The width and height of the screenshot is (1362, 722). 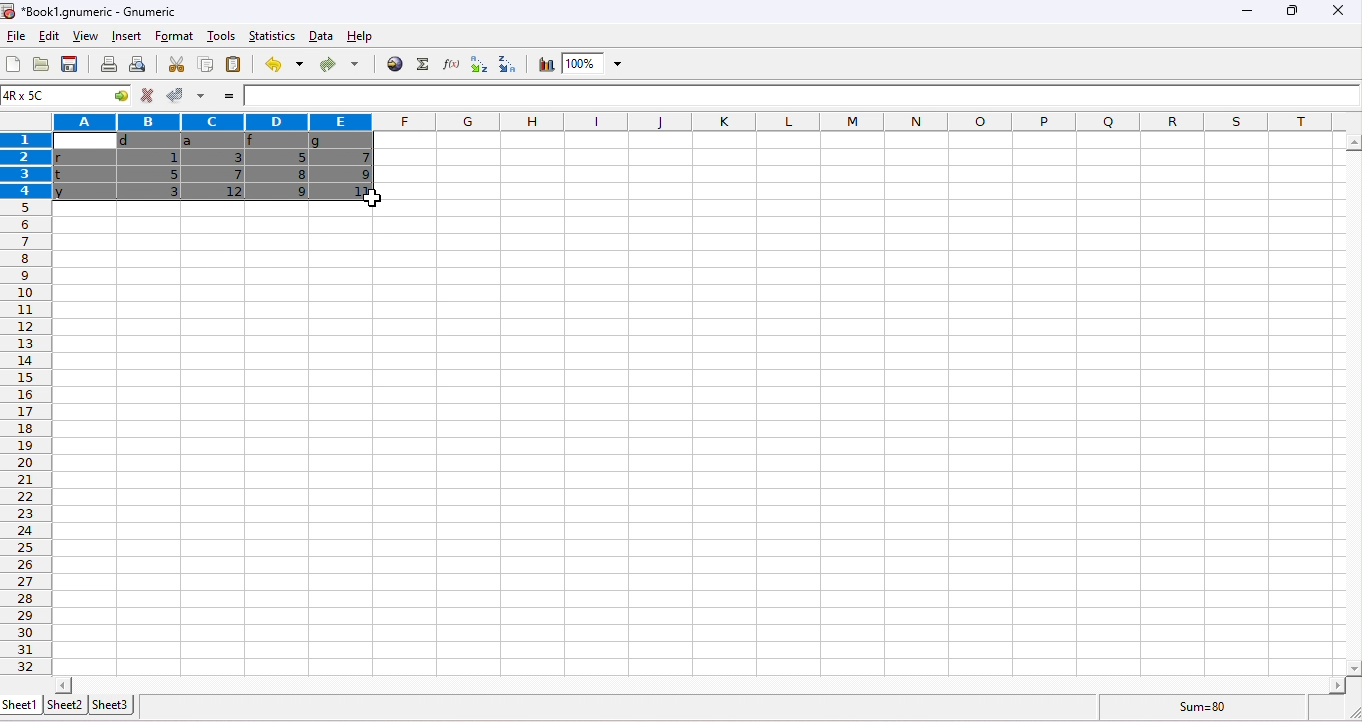 What do you see at coordinates (1247, 14) in the screenshot?
I see `minimize` at bounding box center [1247, 14].